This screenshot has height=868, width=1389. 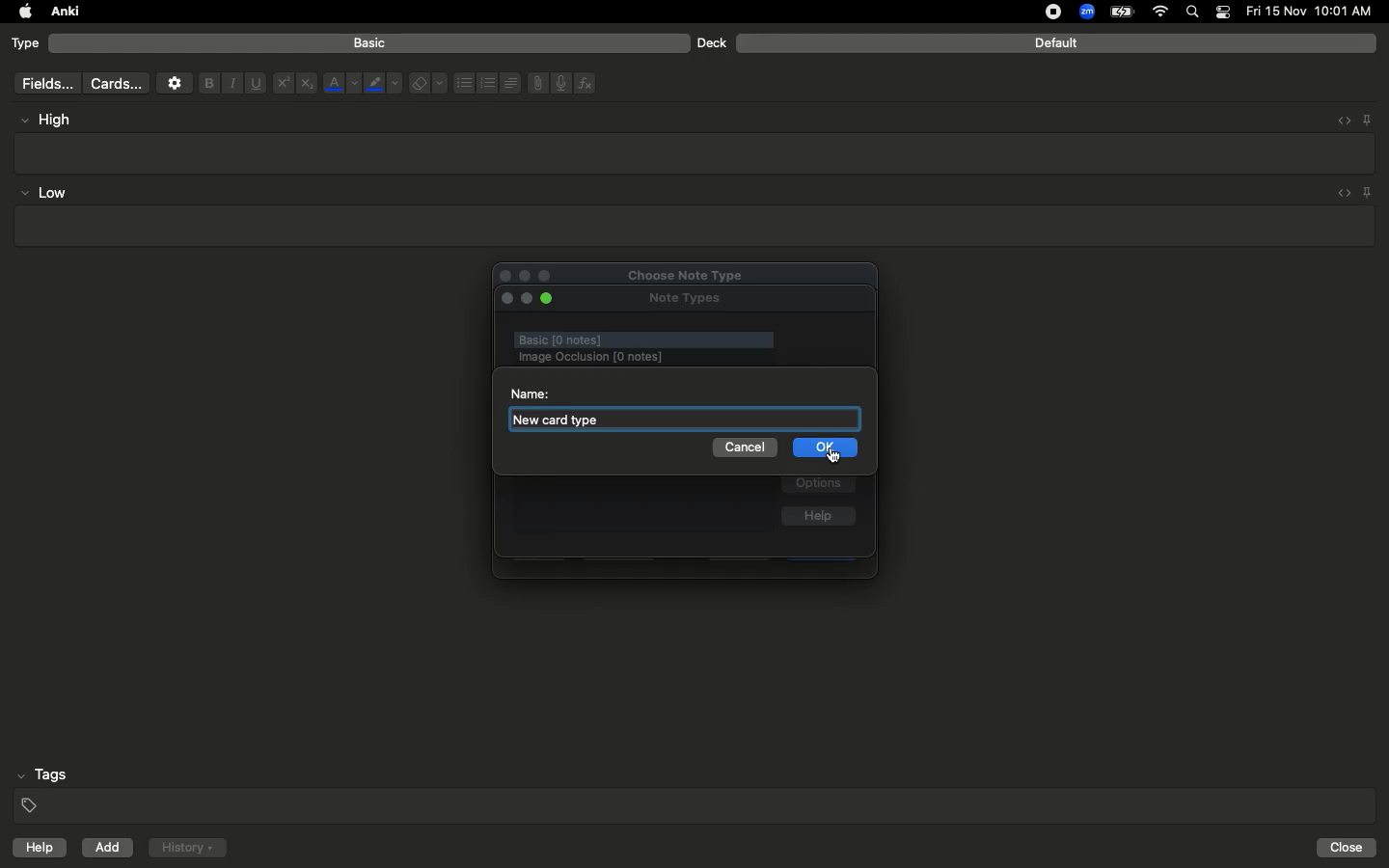 What do you see at coordinates (488, 83) in the screenshot?
I see `Numbered bullets` at bounding box center [488, 83].